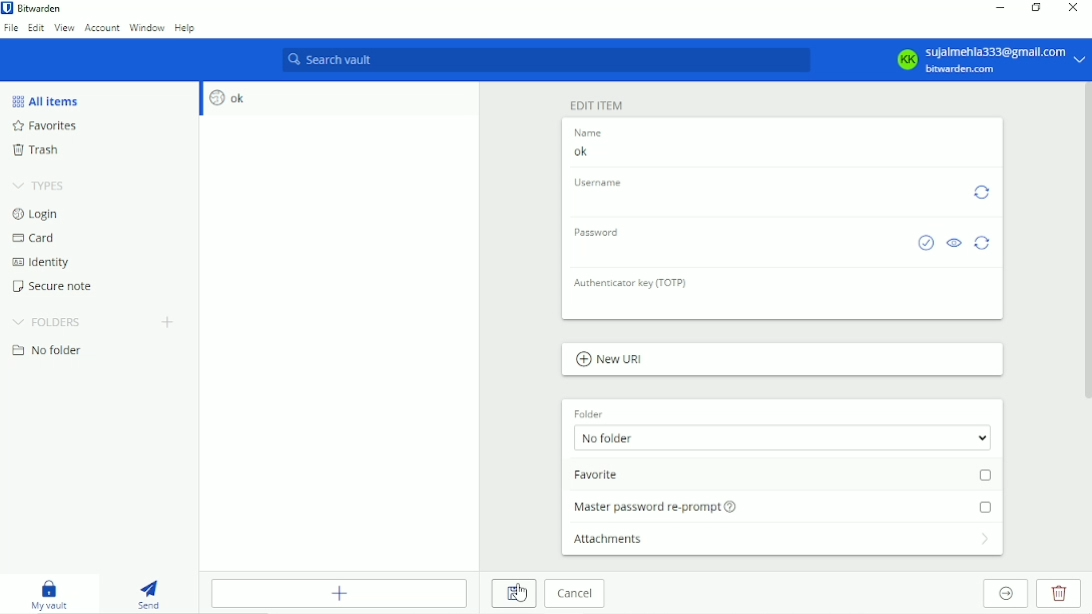 This screenshot has height=614, width=1092. Describe the element at coordinates (785, 509) in the screenshot. I see `Master password re-prompt` at that location.